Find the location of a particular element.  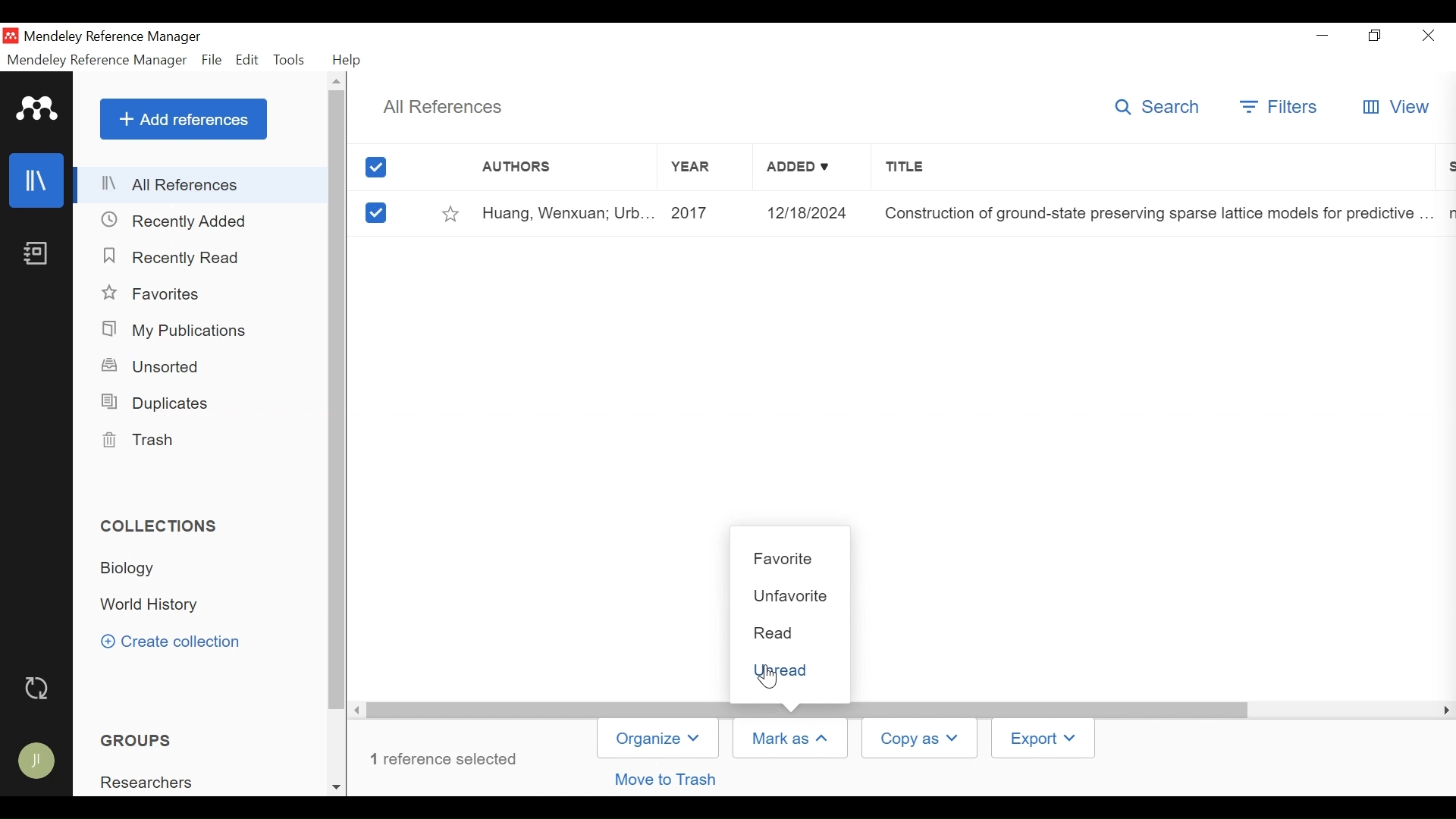

Scroll down is located at coordinates (336, 787).